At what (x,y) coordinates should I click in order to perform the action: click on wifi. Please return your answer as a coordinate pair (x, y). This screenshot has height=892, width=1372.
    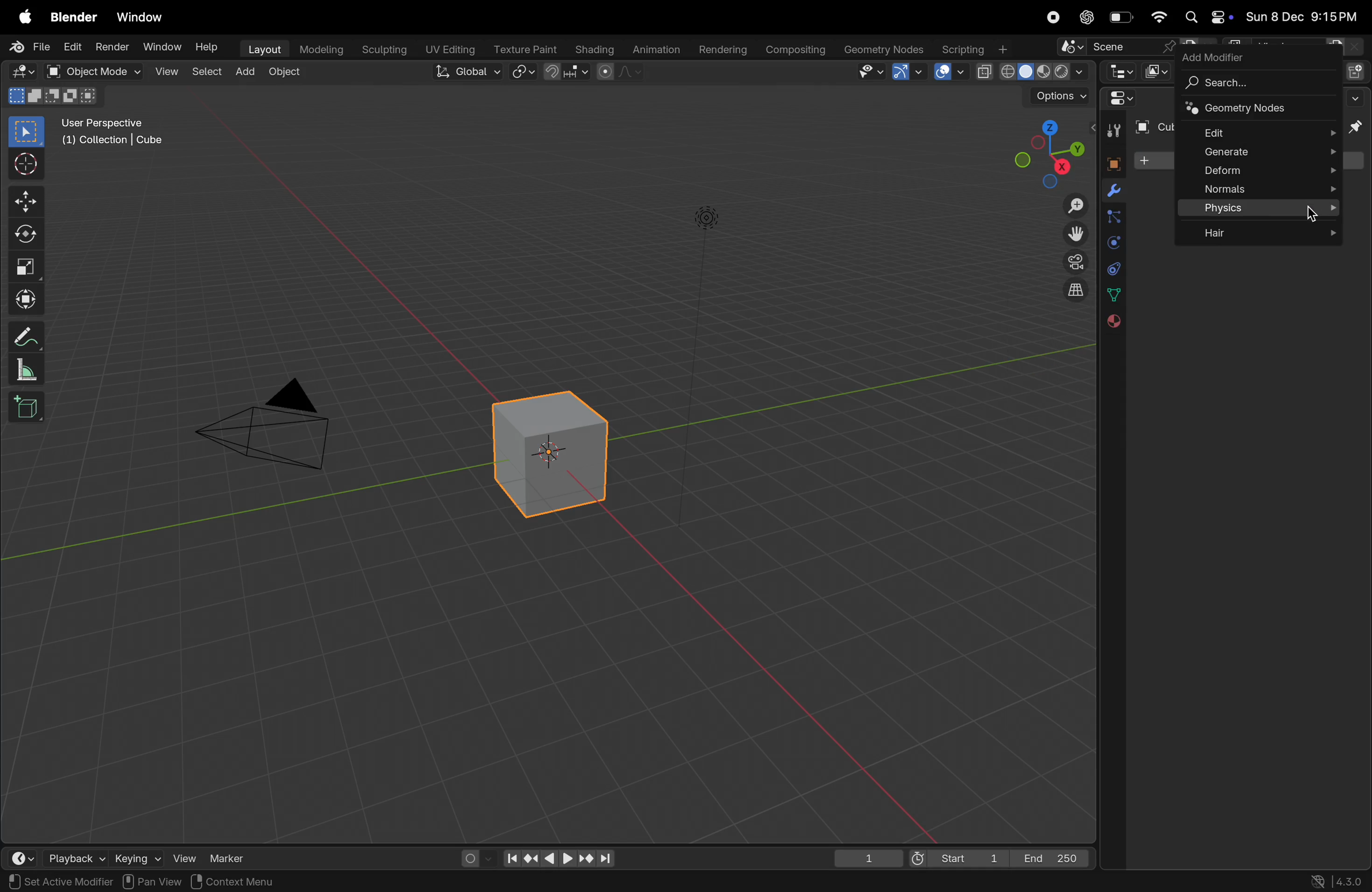
    Looking at the image, I should click on (1159, 17).